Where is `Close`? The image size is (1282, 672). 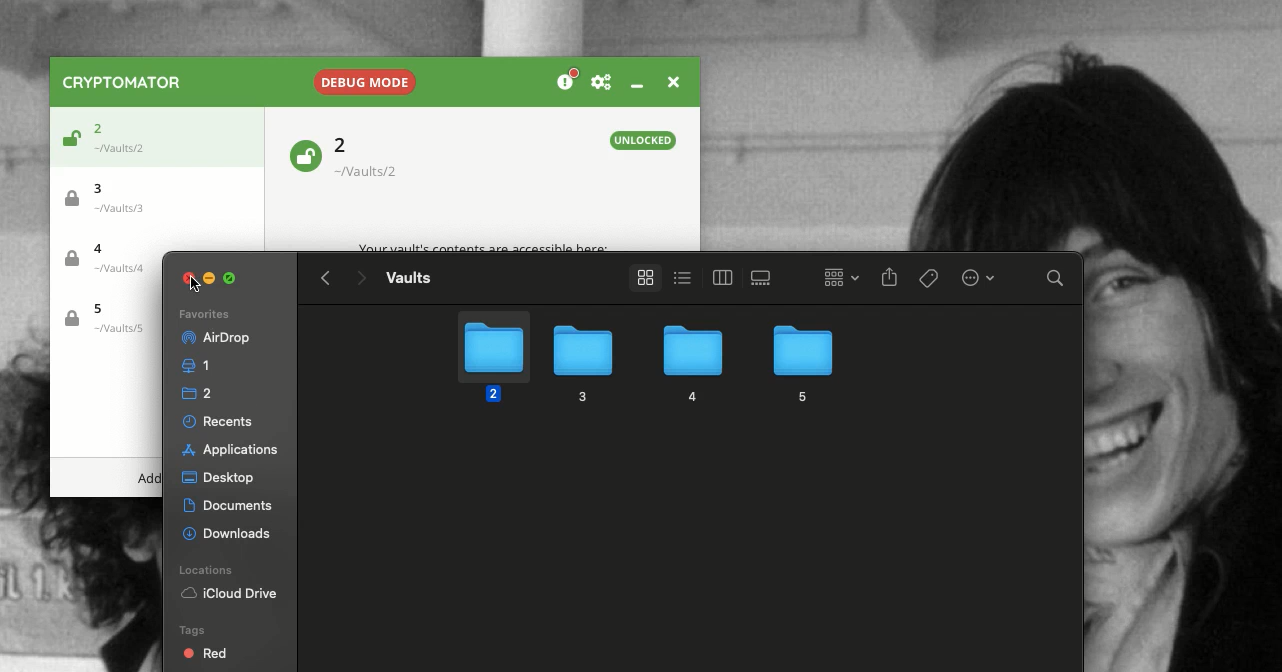 Close is located at coordinates (671, 80).